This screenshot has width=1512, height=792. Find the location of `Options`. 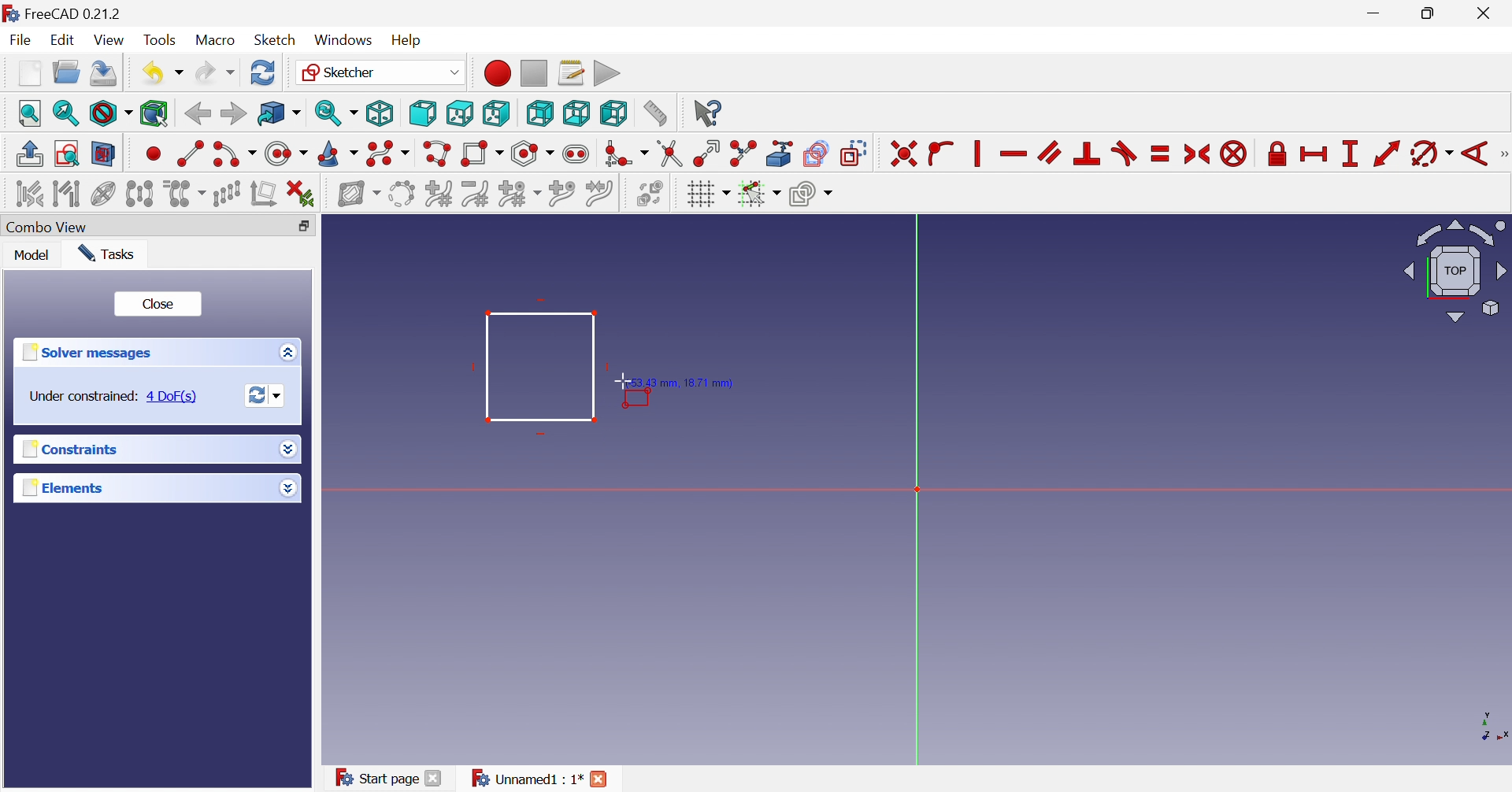

Options is located at coordinates (284, 353).